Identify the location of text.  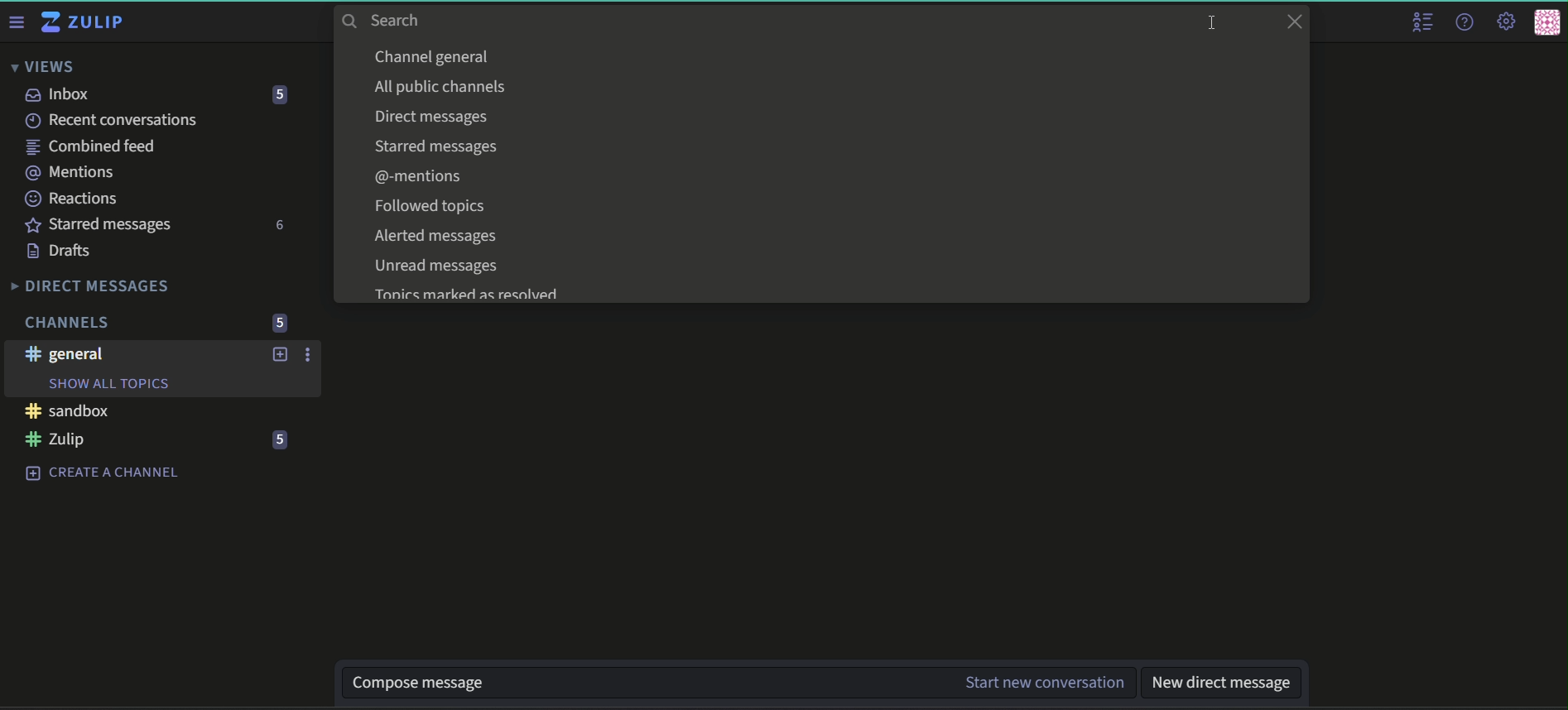
(434, 56).